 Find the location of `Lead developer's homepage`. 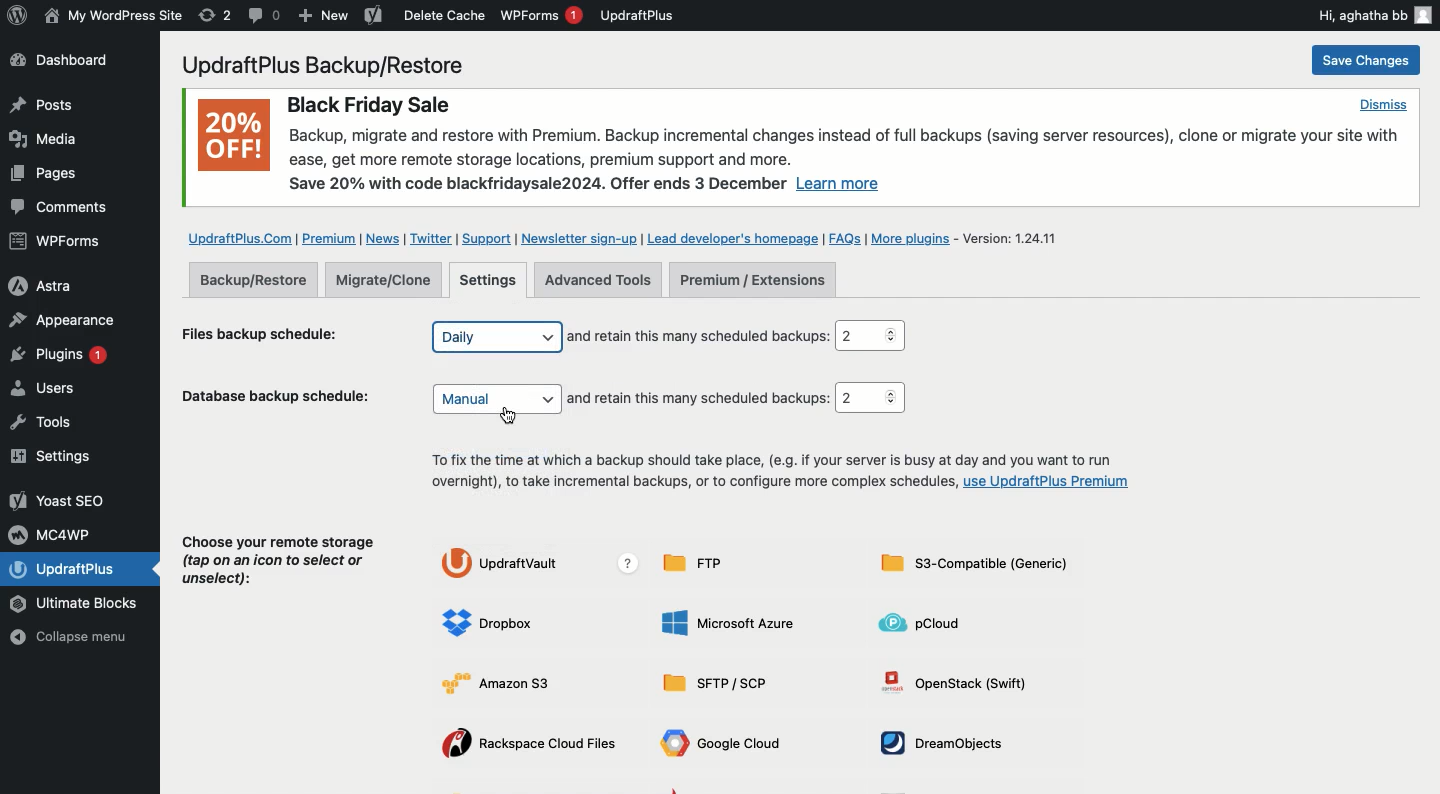

Lead developer's homepage is located at coordinates (733, 237).